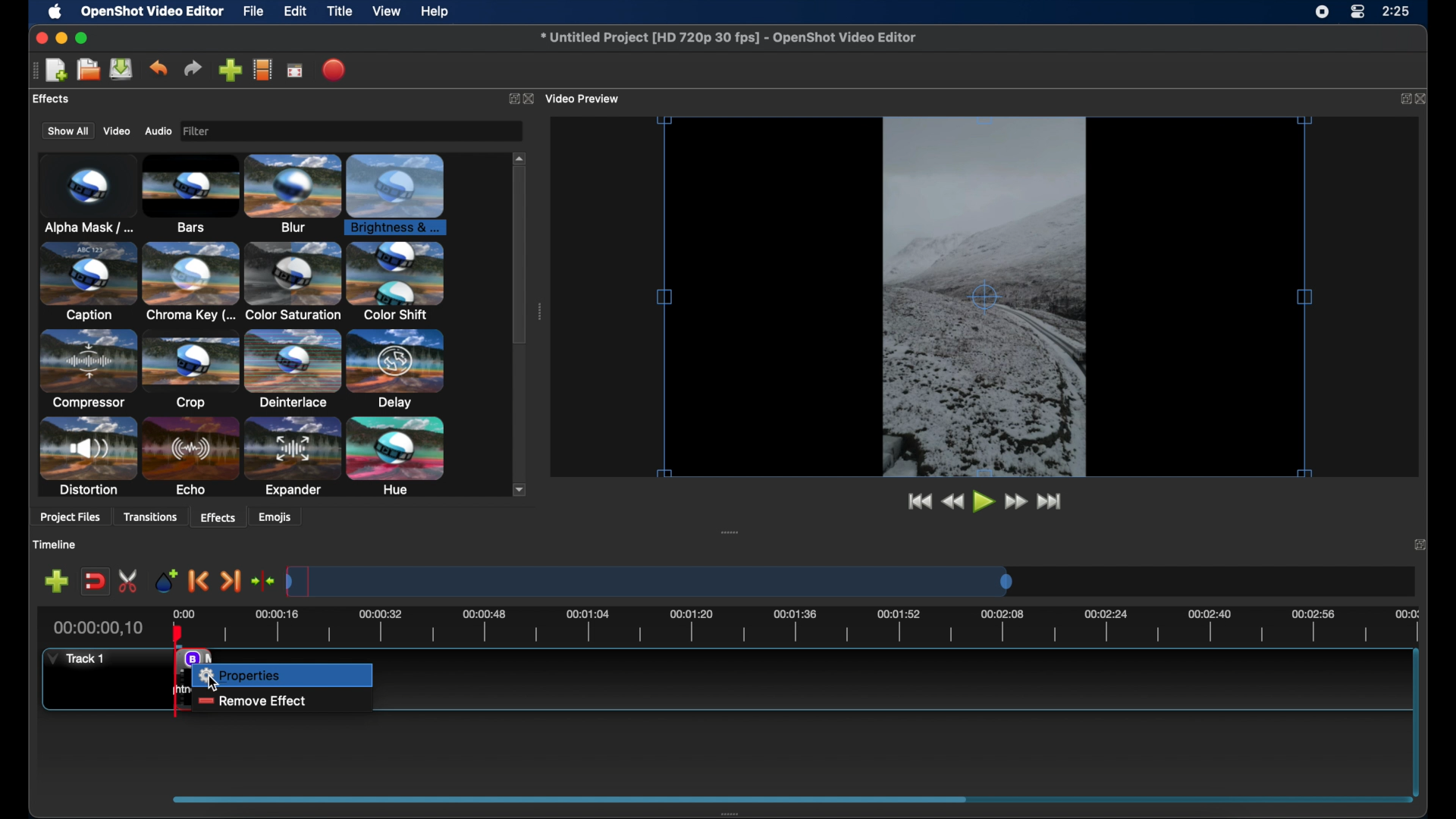  I want to click on color shift, so click(396, 281).